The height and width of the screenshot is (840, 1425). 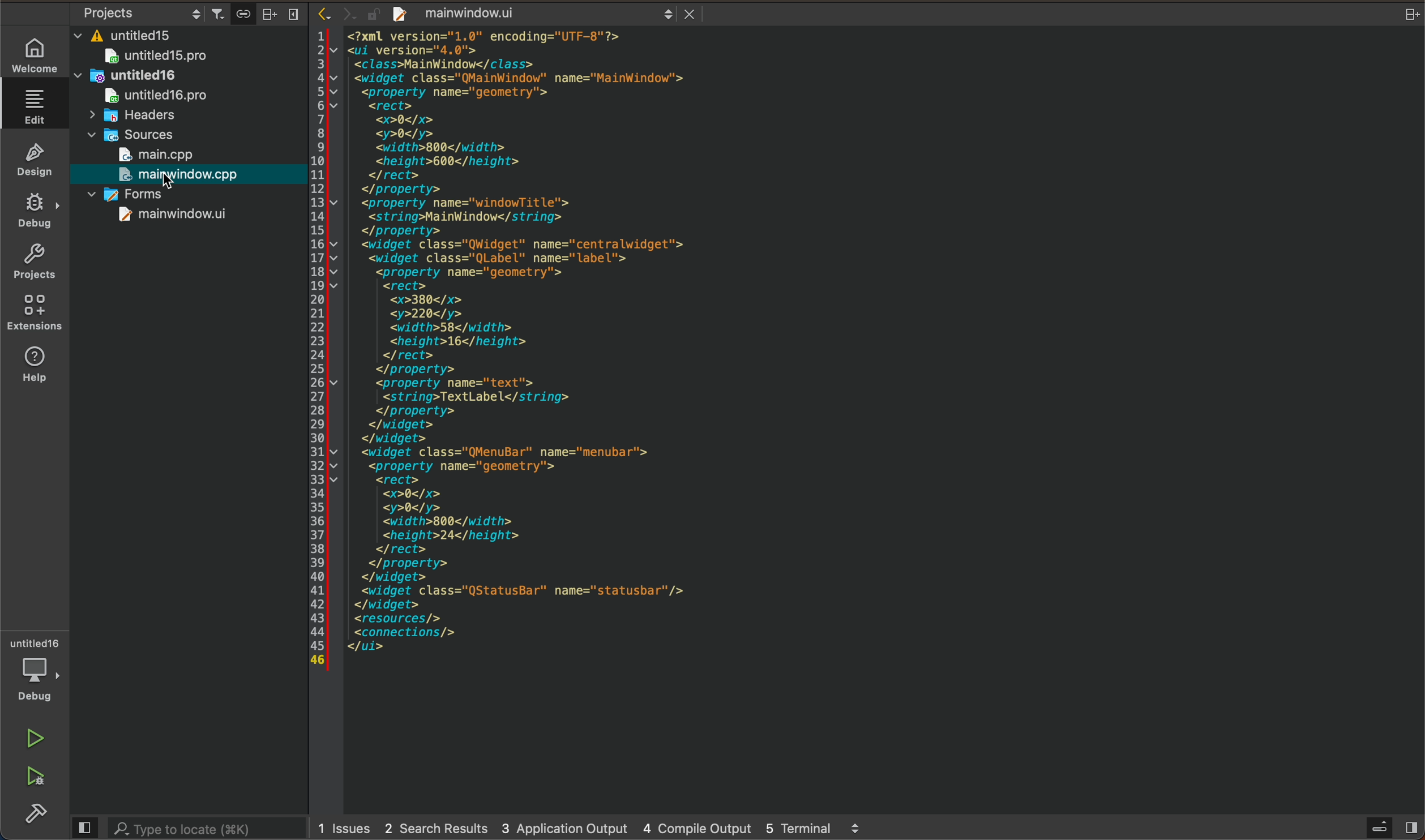 What do you see at coordinates (146, 97) in the screenshot?
I see `untitled16.pro` at bounding box center [146, 97].